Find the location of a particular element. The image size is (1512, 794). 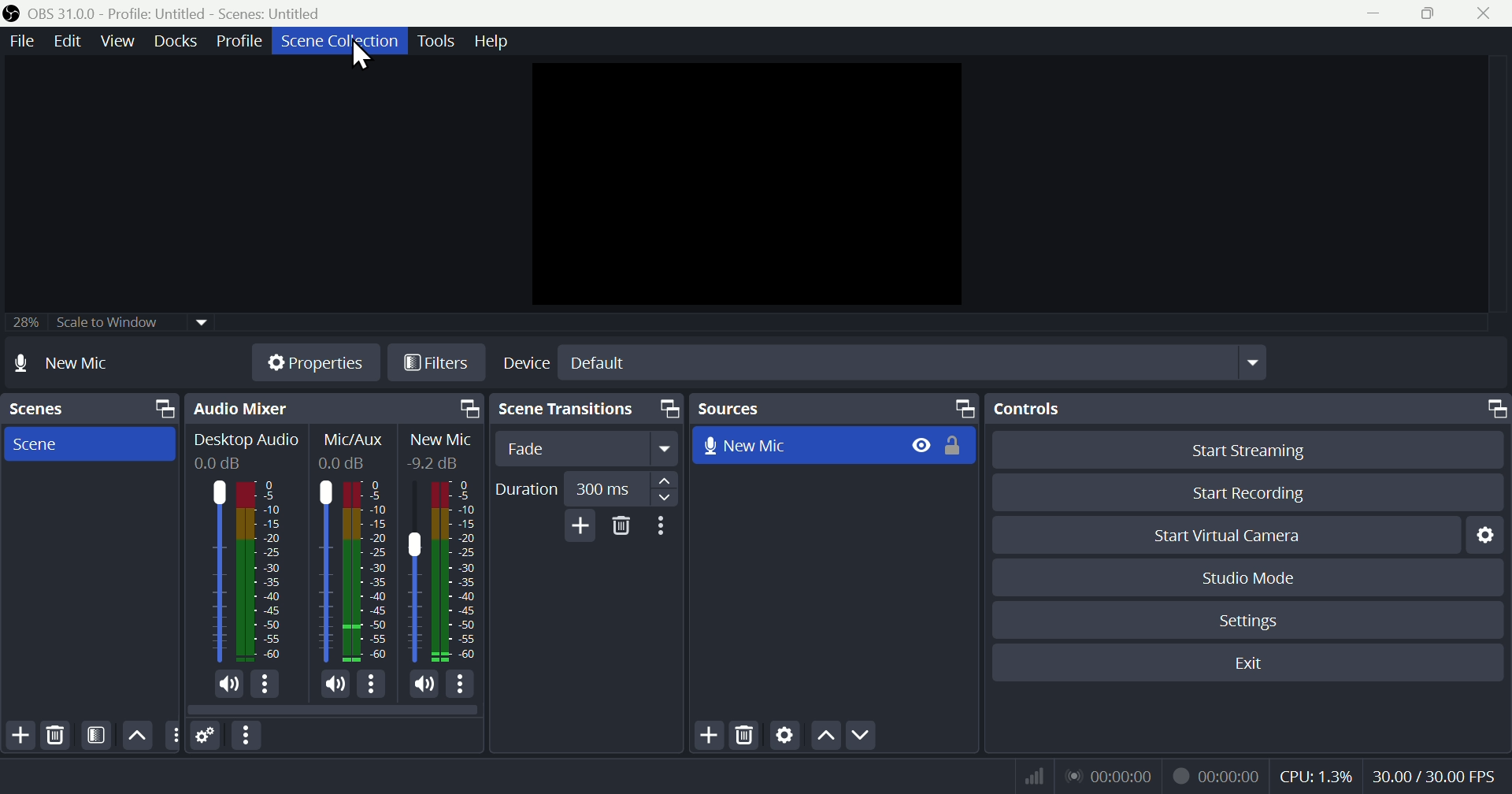

Start recording is located at coordinates (1256, 491).